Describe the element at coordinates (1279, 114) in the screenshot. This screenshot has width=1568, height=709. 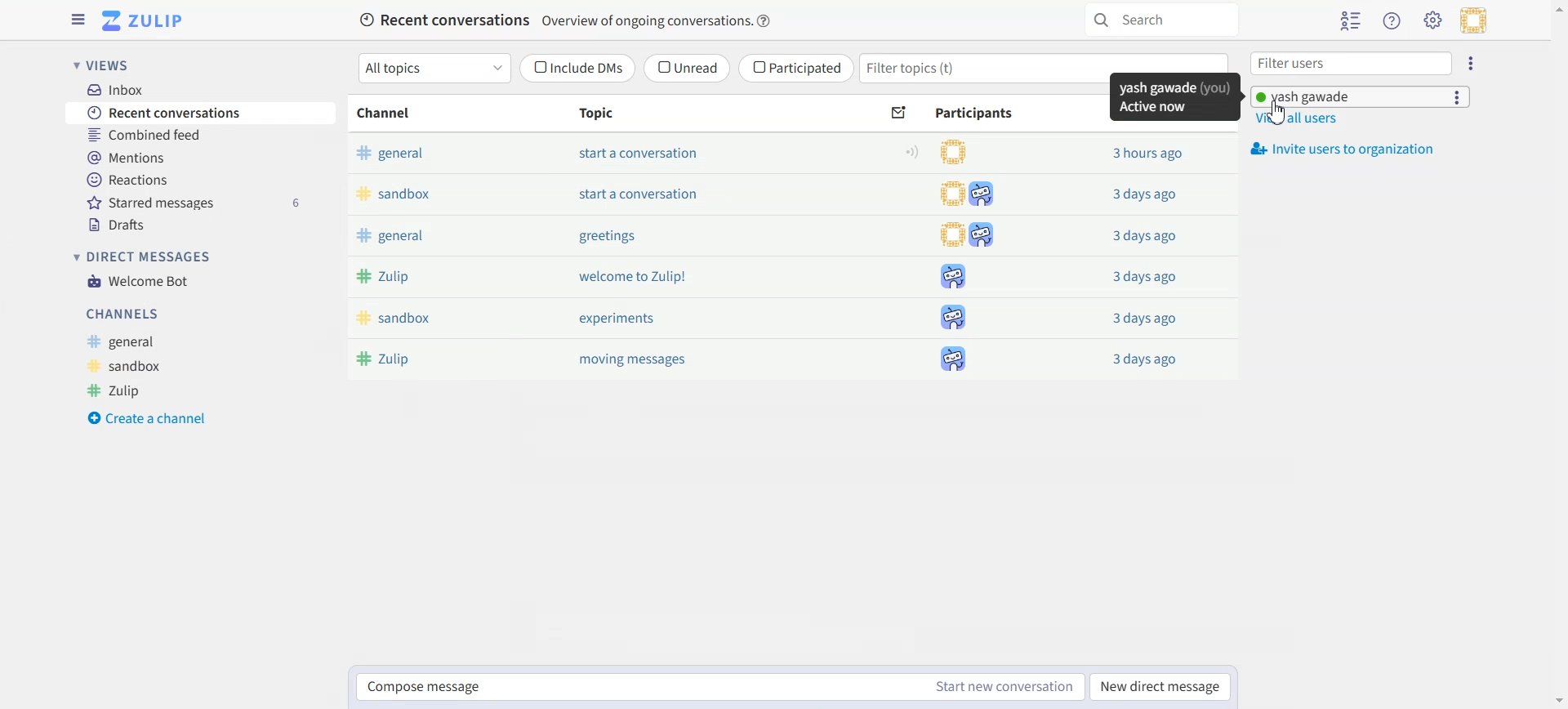
I see `cursor` at that location.